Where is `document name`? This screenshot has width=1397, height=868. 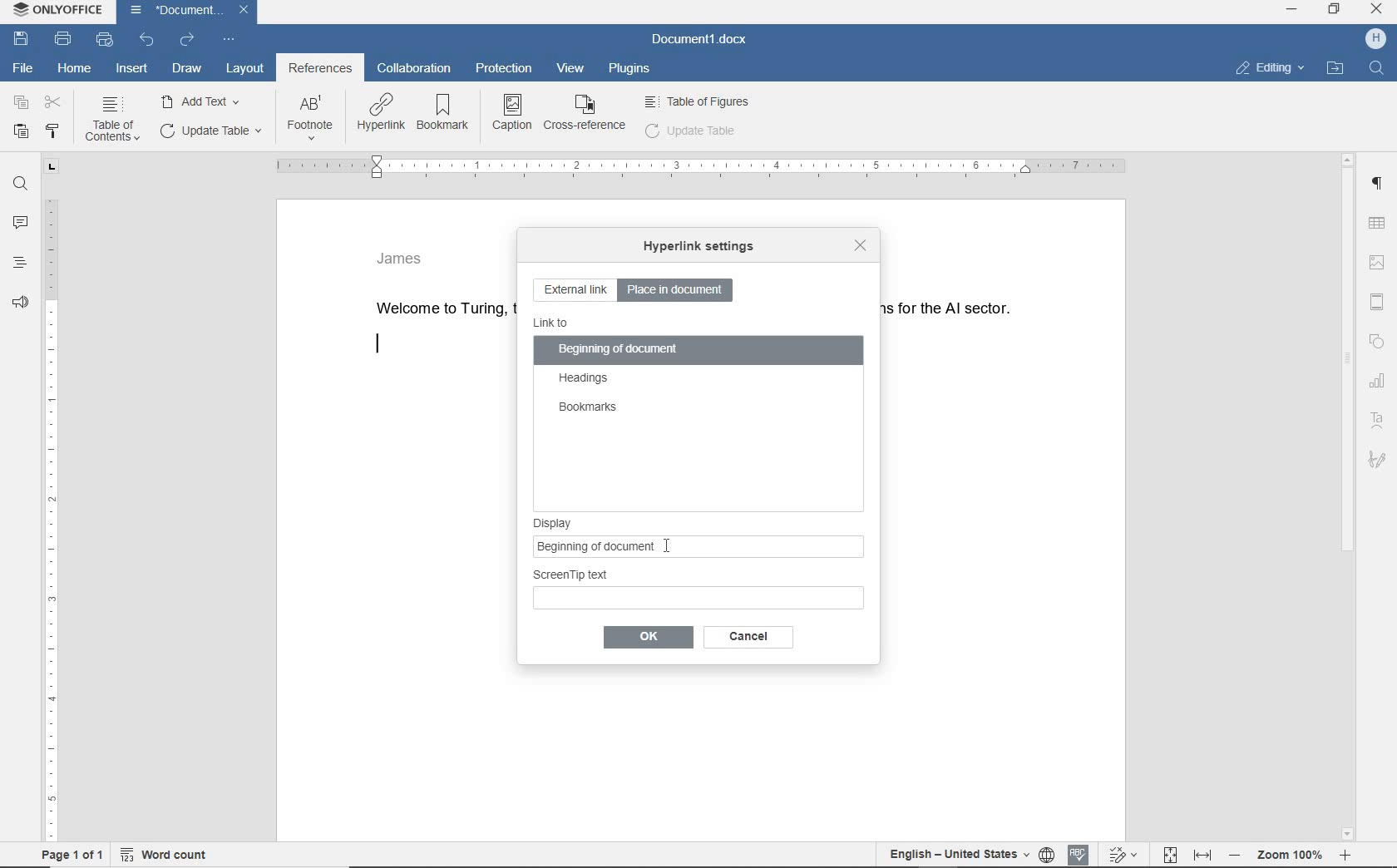
document name is located at coordinates (699, 39).